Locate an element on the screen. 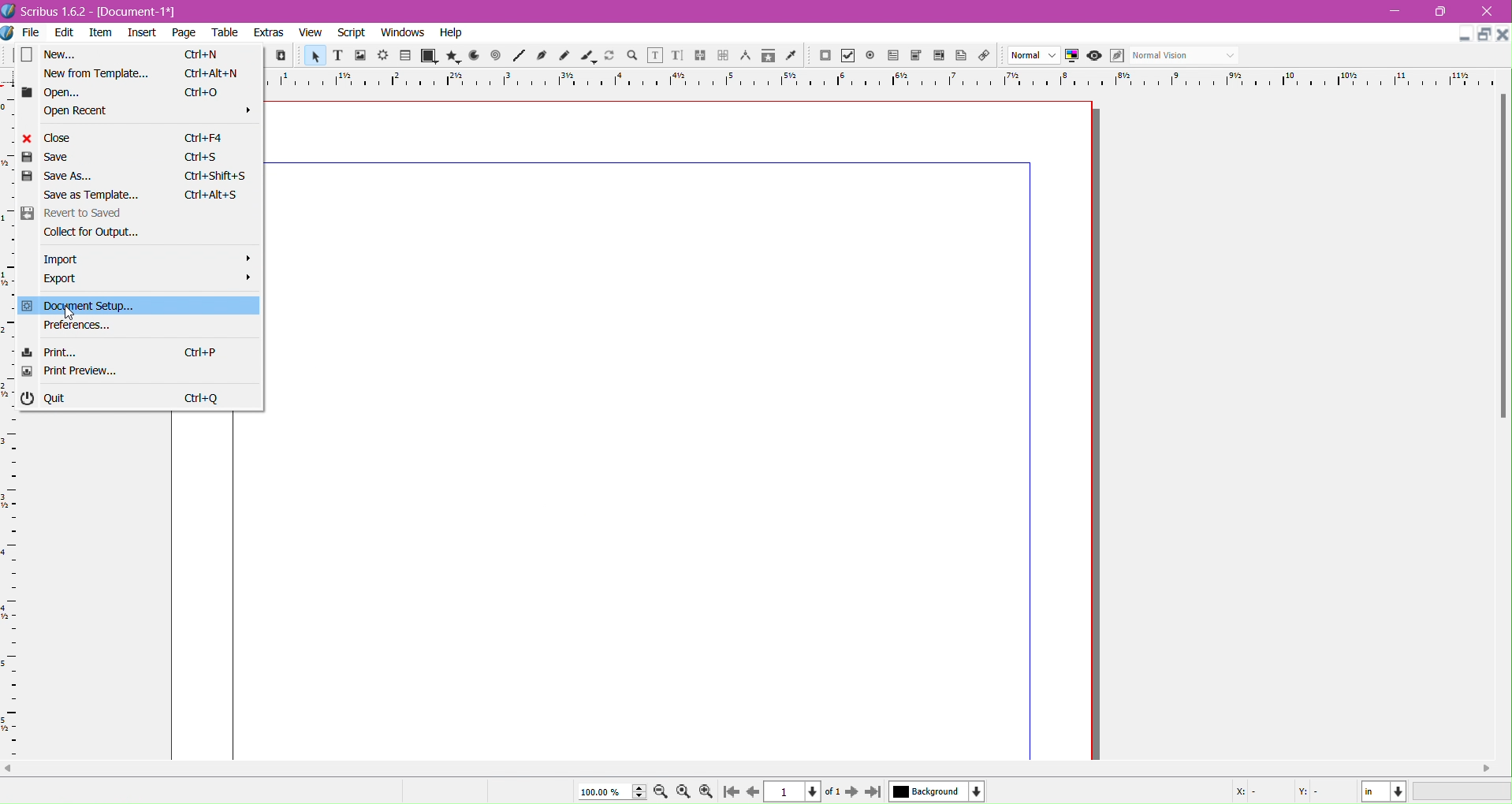 This screenshot has width=1512, height=804. text annotations is located at coordinates (964, 56).